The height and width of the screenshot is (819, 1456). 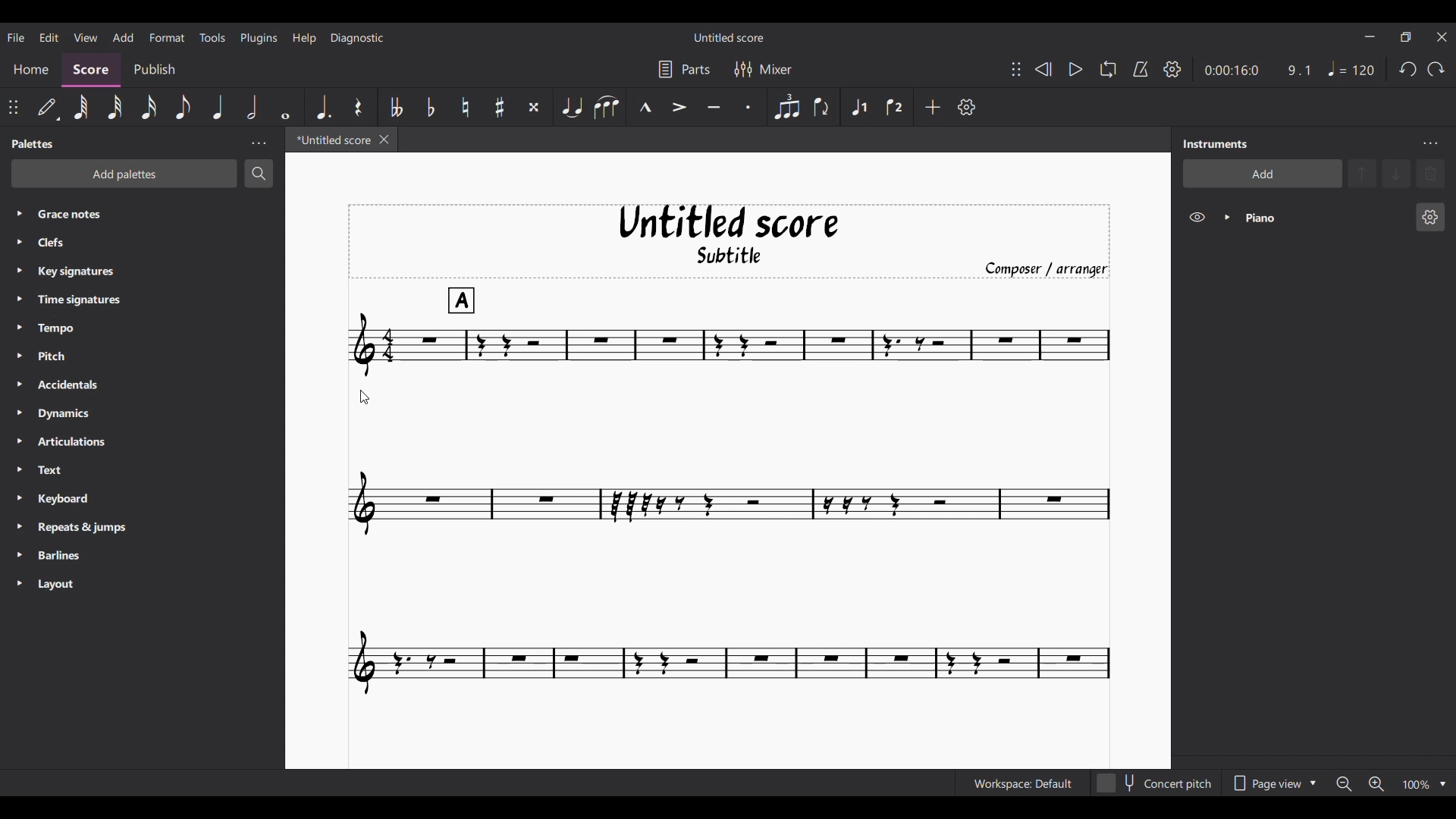 I want to click on Toggle flat, so click(x=431, y=107).